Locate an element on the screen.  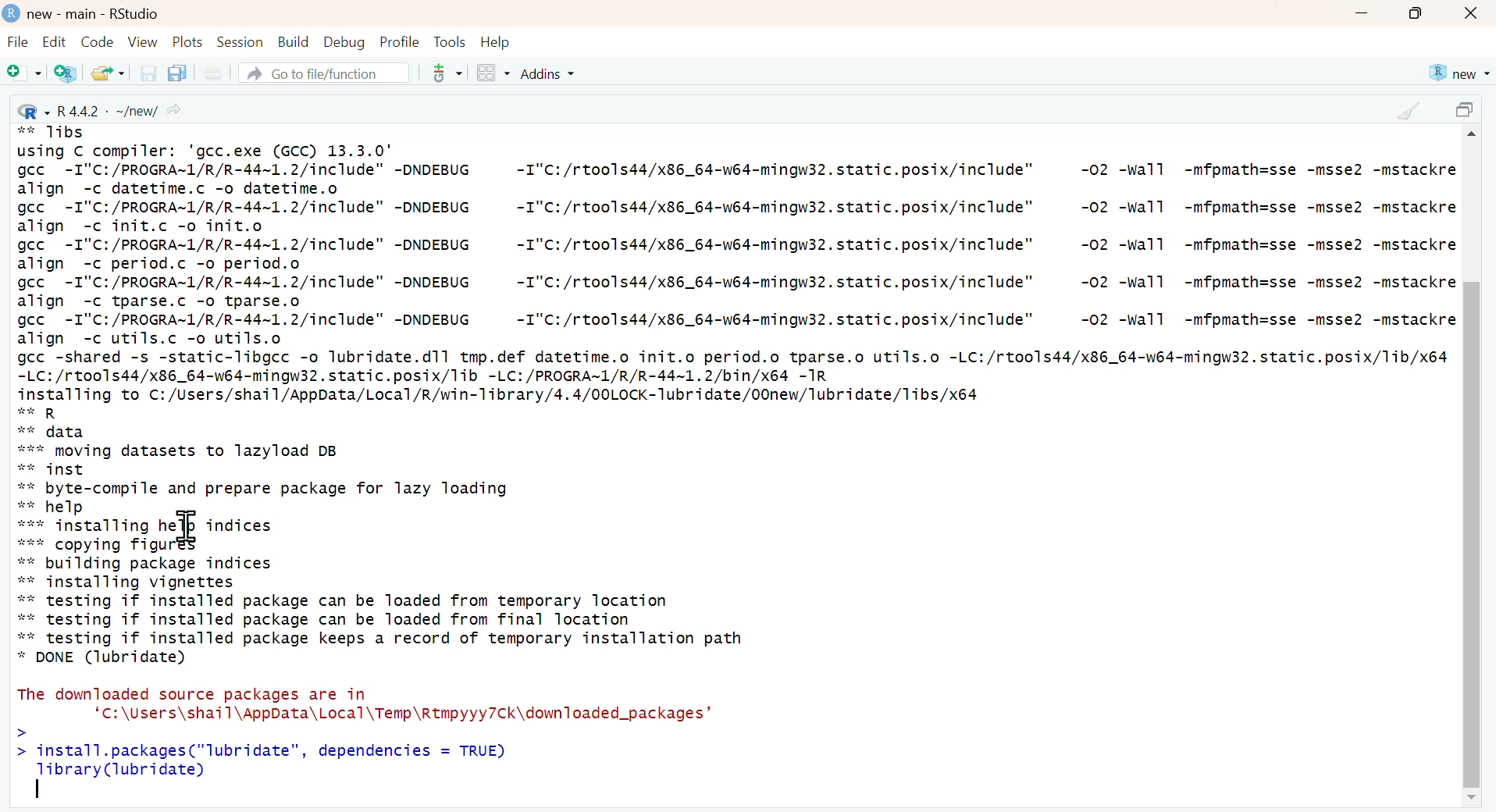
new - main - RStudio is located at coordinates (95, 14).